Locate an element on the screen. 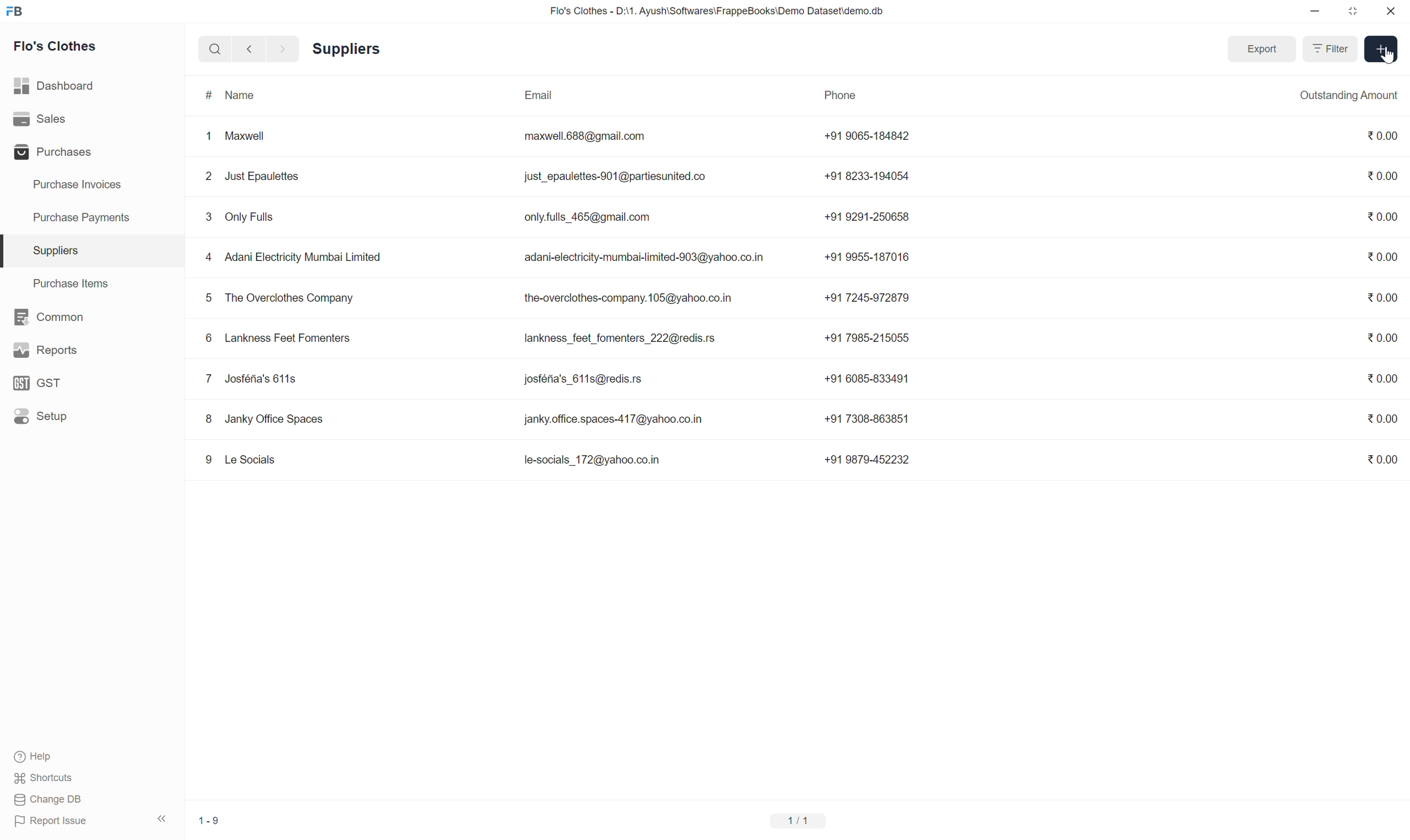  Common is located at coordinates (91, 317).